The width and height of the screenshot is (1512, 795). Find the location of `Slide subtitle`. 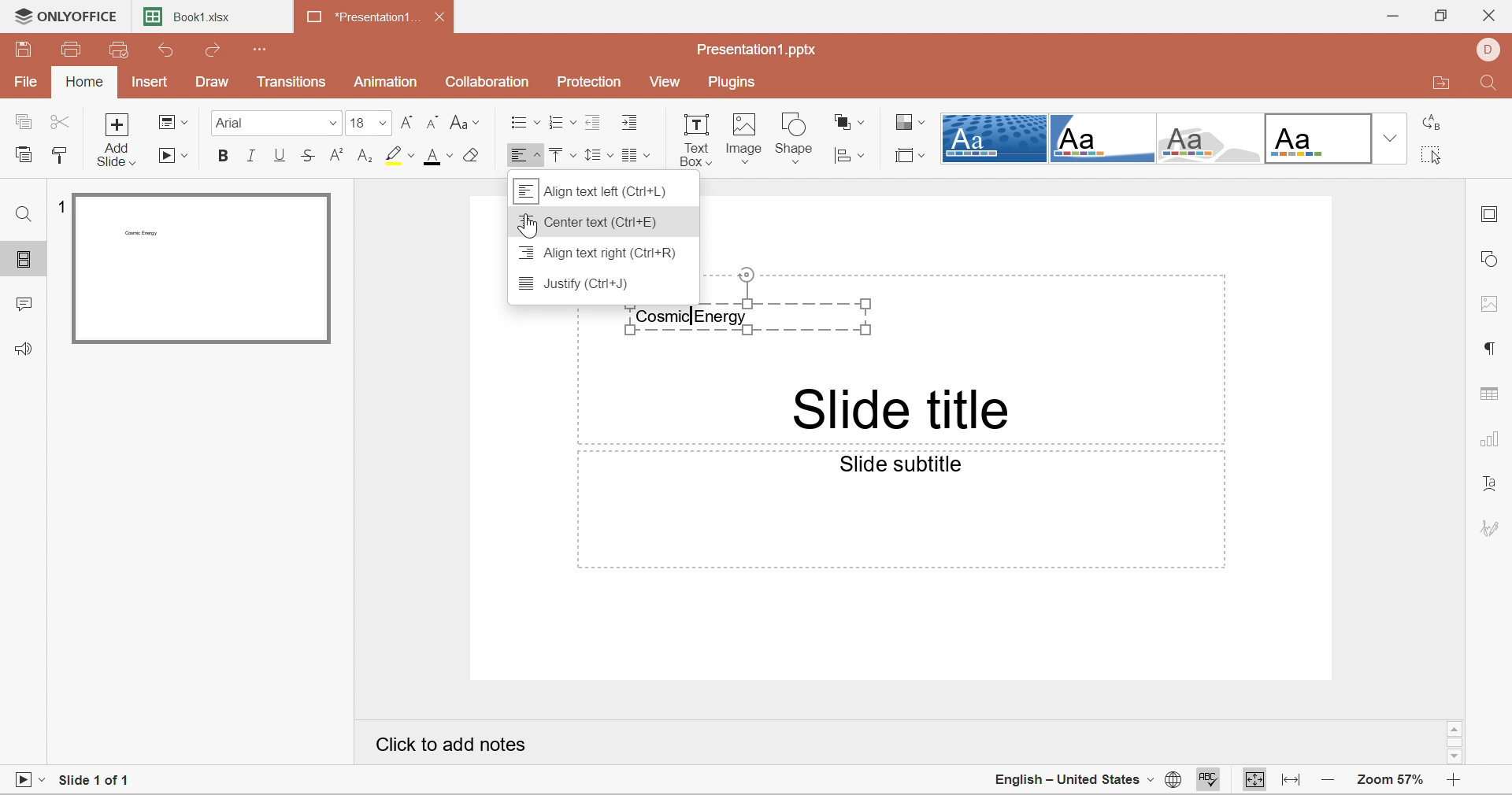

Slide subtitle is located at coordinates (906, 466).